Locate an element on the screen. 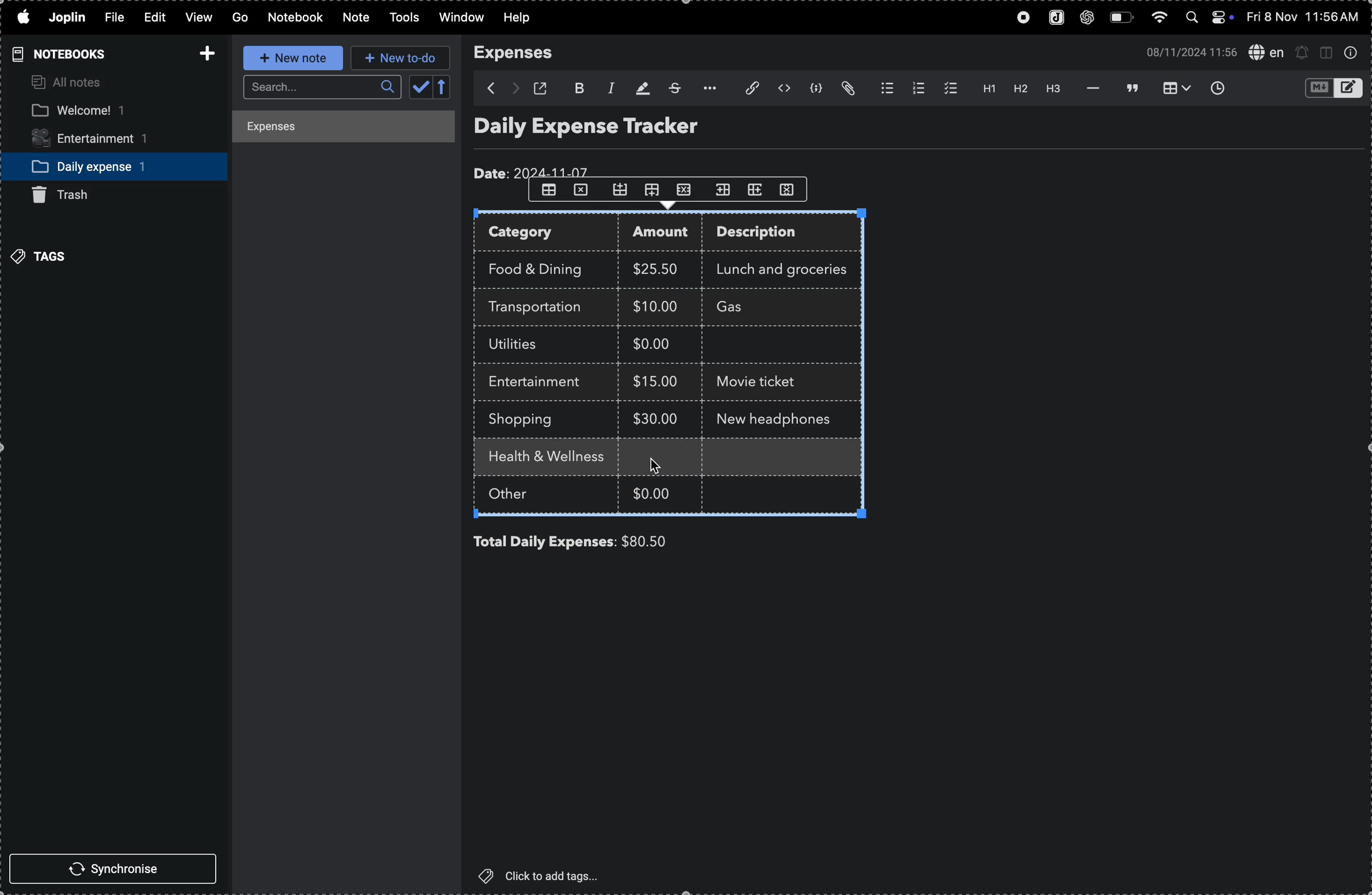 The image size is (1372, 895). date and time is located at coordinates (1187, 51).